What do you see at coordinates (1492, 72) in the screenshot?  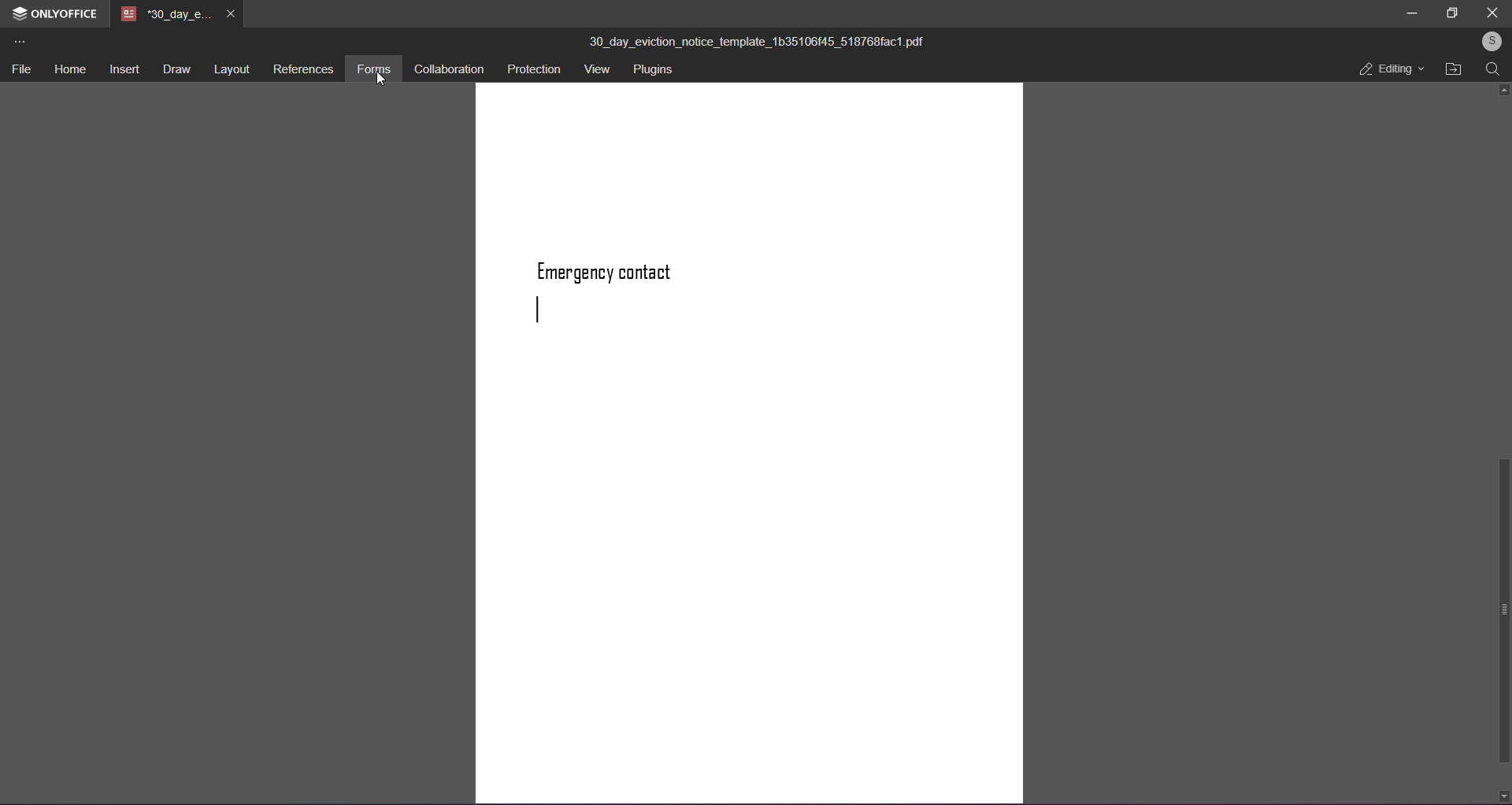 I see `search` at bounding box center [1492, 72].